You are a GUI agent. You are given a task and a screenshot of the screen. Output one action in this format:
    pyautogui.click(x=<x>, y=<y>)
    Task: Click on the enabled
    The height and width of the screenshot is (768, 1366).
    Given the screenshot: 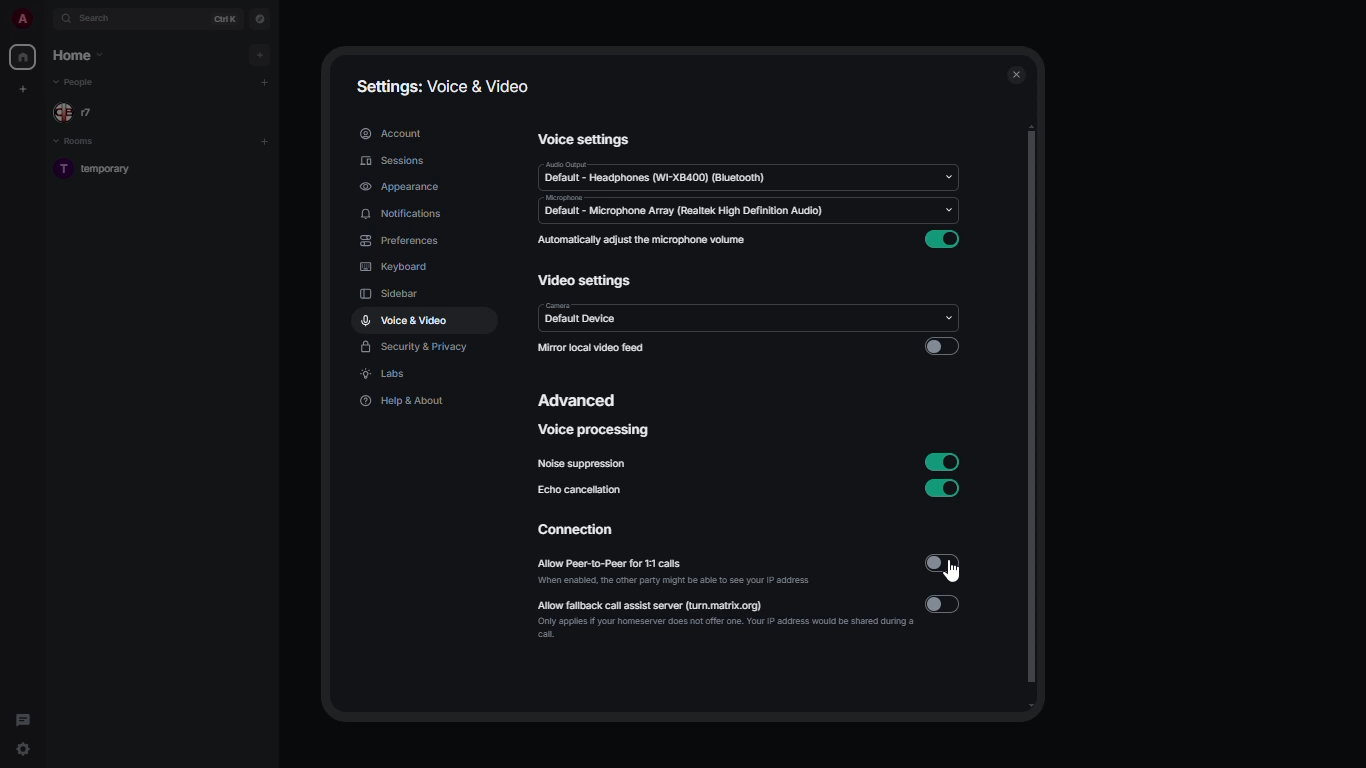 What is the action you would take?
    pyautogui.click(x=947, y=240)
    